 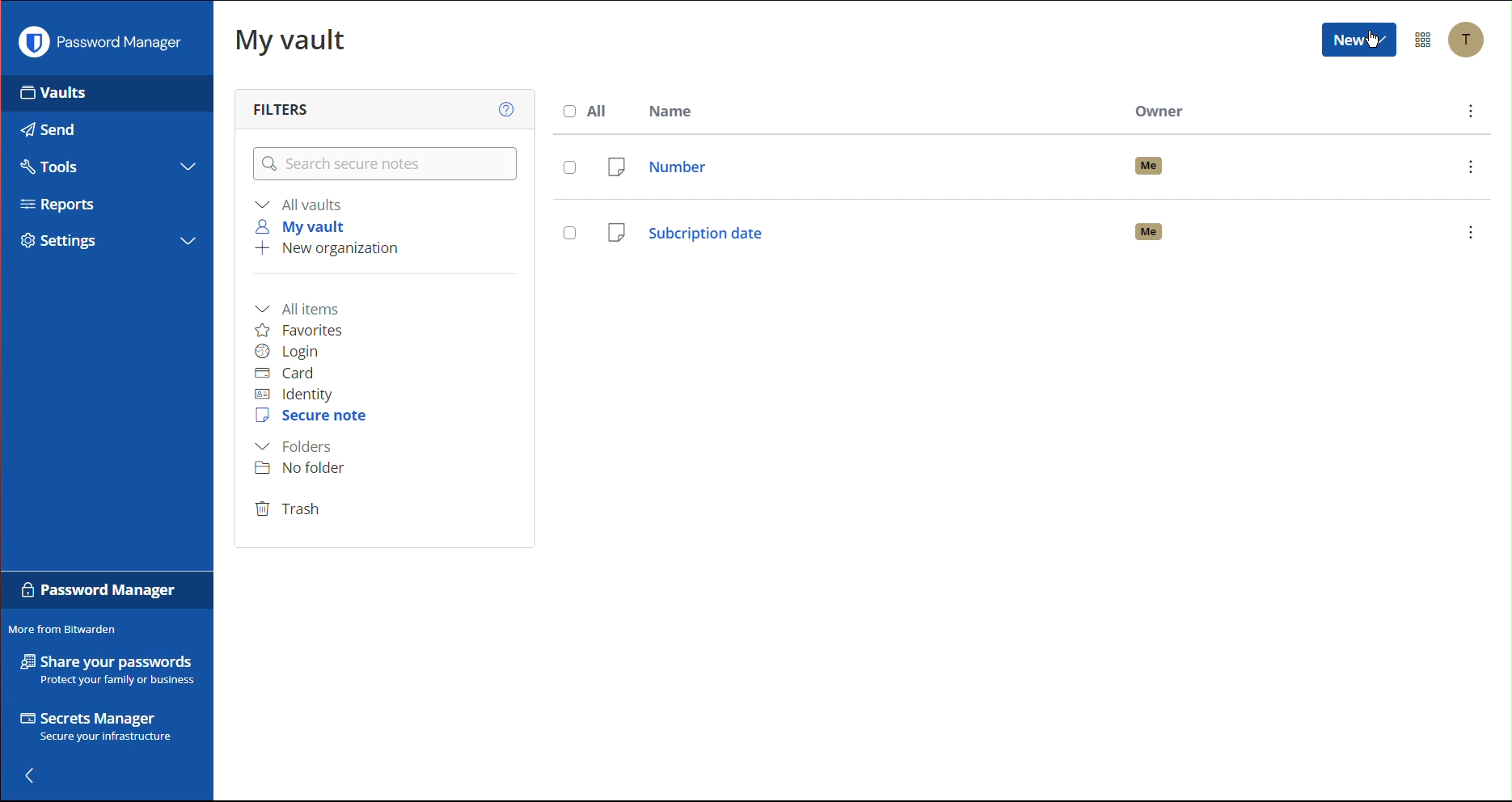 What do you see at coordinates (58, 204) in the screenshot?
I see `Reports` at bounding box center [58, 204].